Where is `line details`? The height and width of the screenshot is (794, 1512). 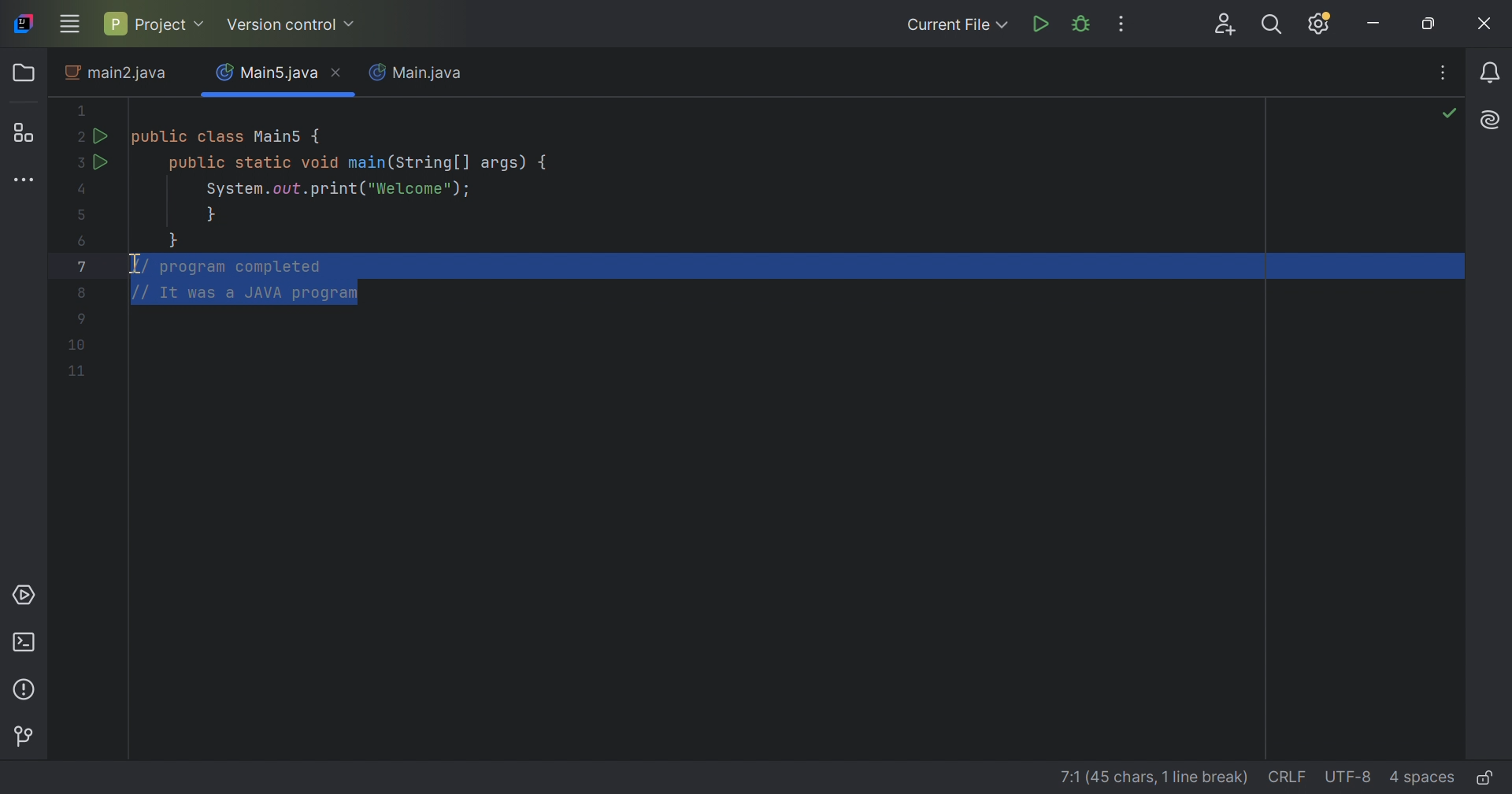
line details is located at coordinates (1141, 774).